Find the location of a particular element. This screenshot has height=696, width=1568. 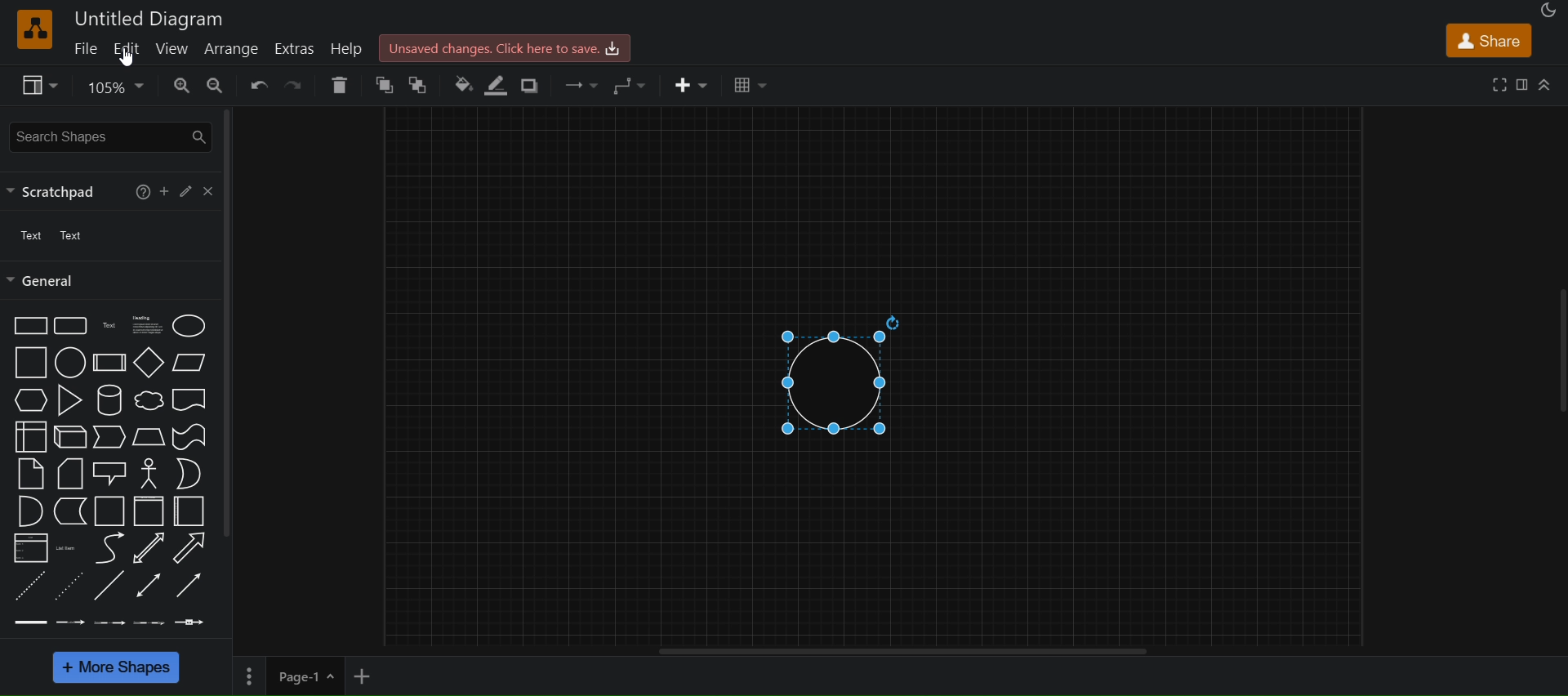

add is located at coordinates (164, 190).